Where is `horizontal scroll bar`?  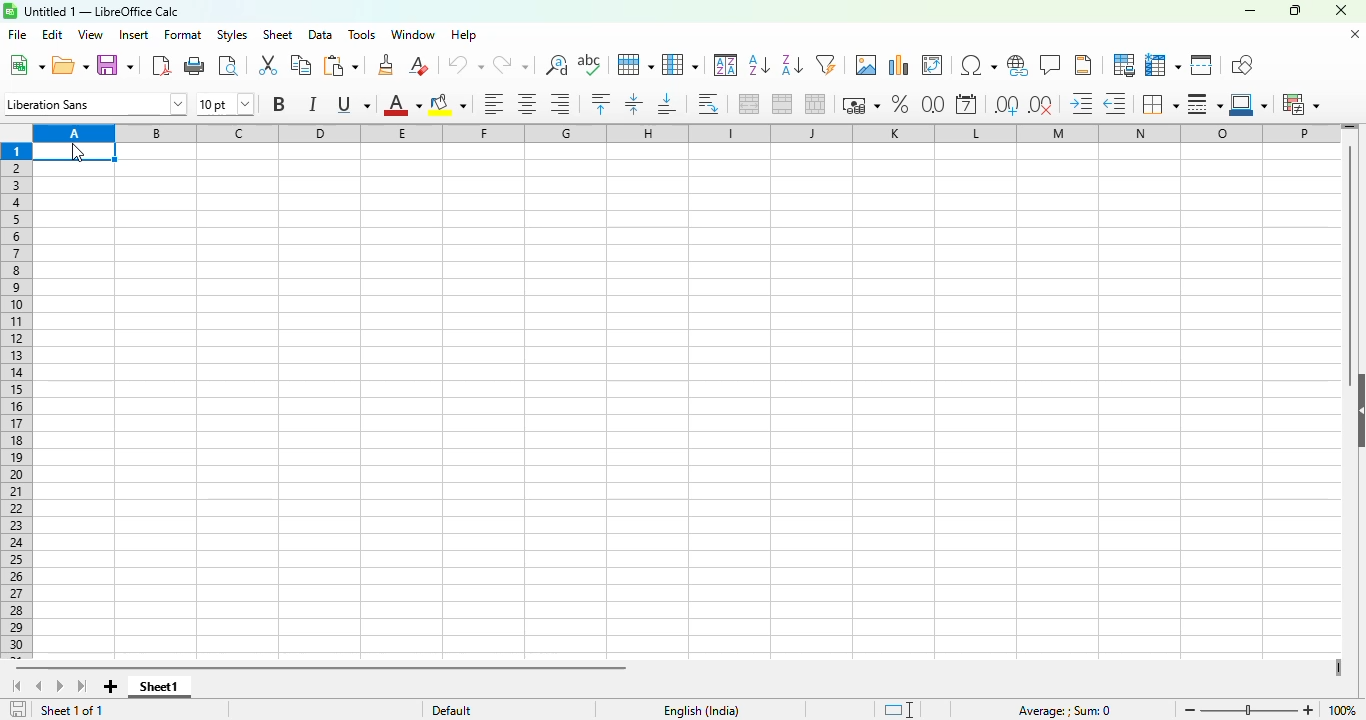 horizontal scroll bar is located at coordinates (325, 669).